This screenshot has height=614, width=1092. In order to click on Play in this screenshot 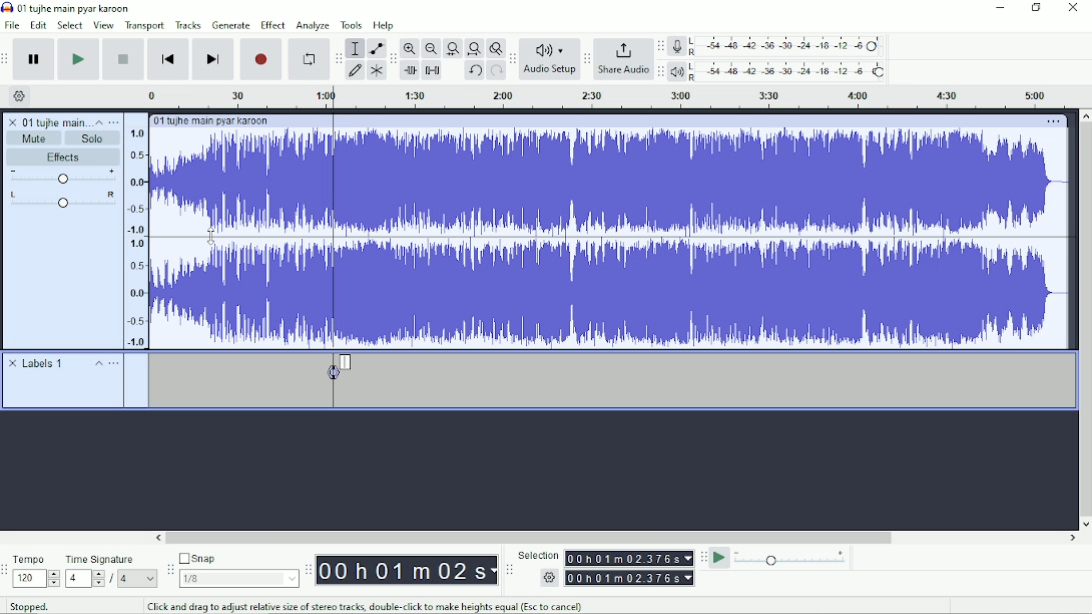, I will do `click(79, 59)`.